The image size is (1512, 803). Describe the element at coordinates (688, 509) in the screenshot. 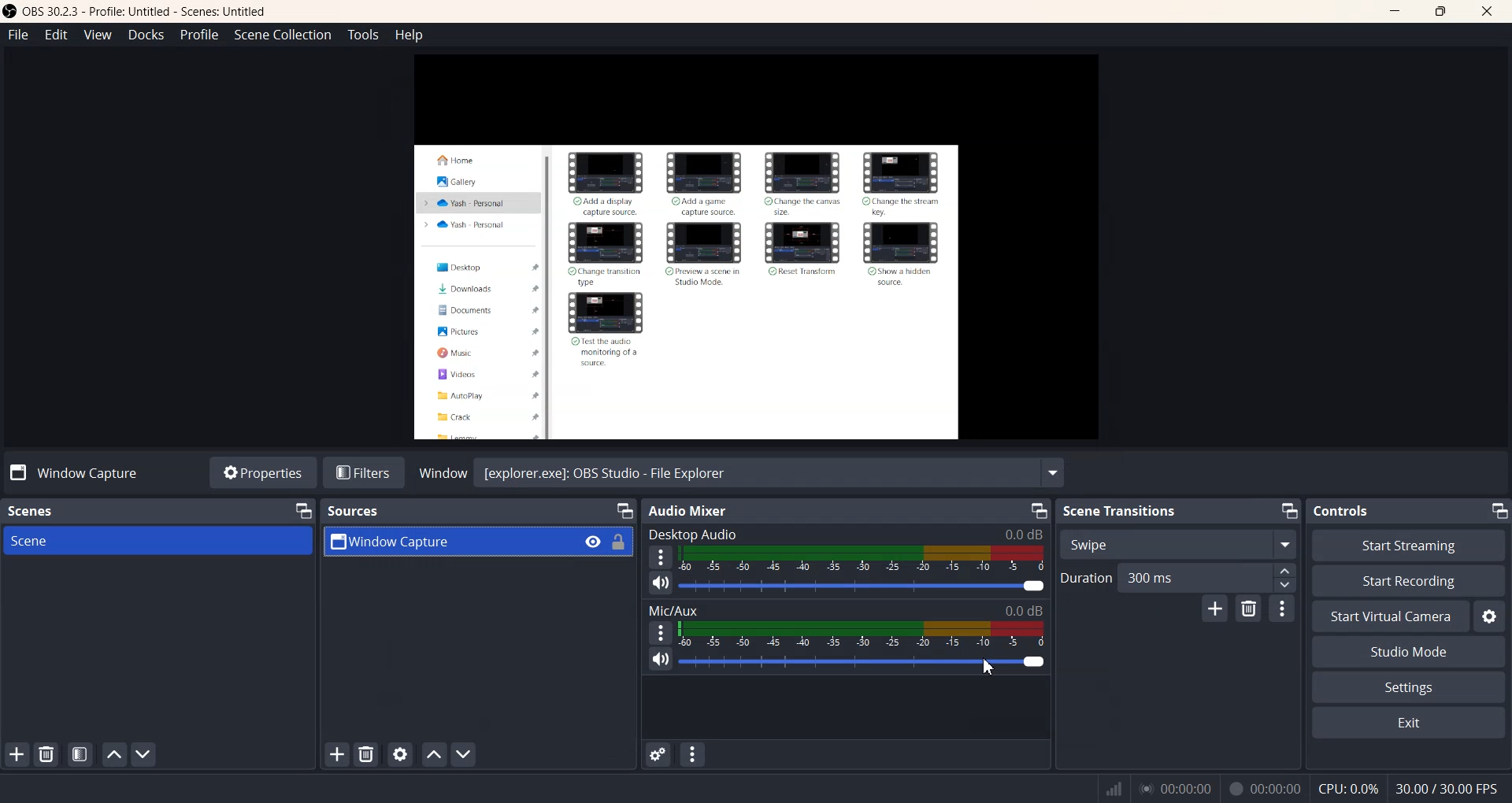

I see `Audio Mixer` at that location.